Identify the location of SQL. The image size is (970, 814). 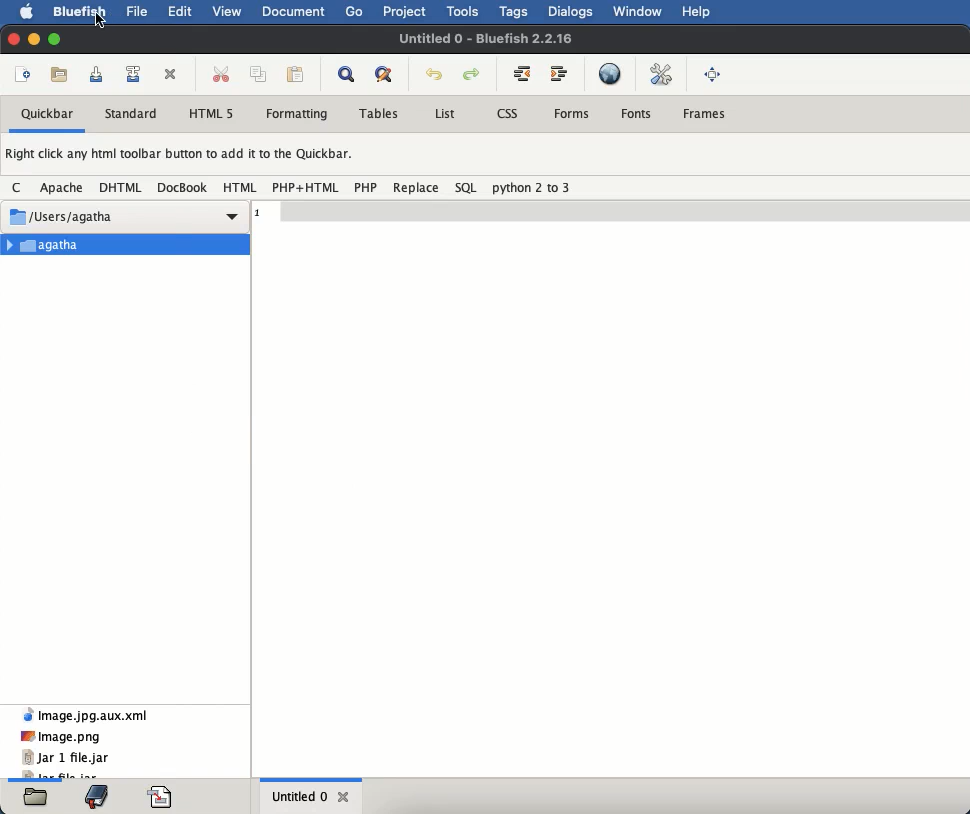
(467, 187).